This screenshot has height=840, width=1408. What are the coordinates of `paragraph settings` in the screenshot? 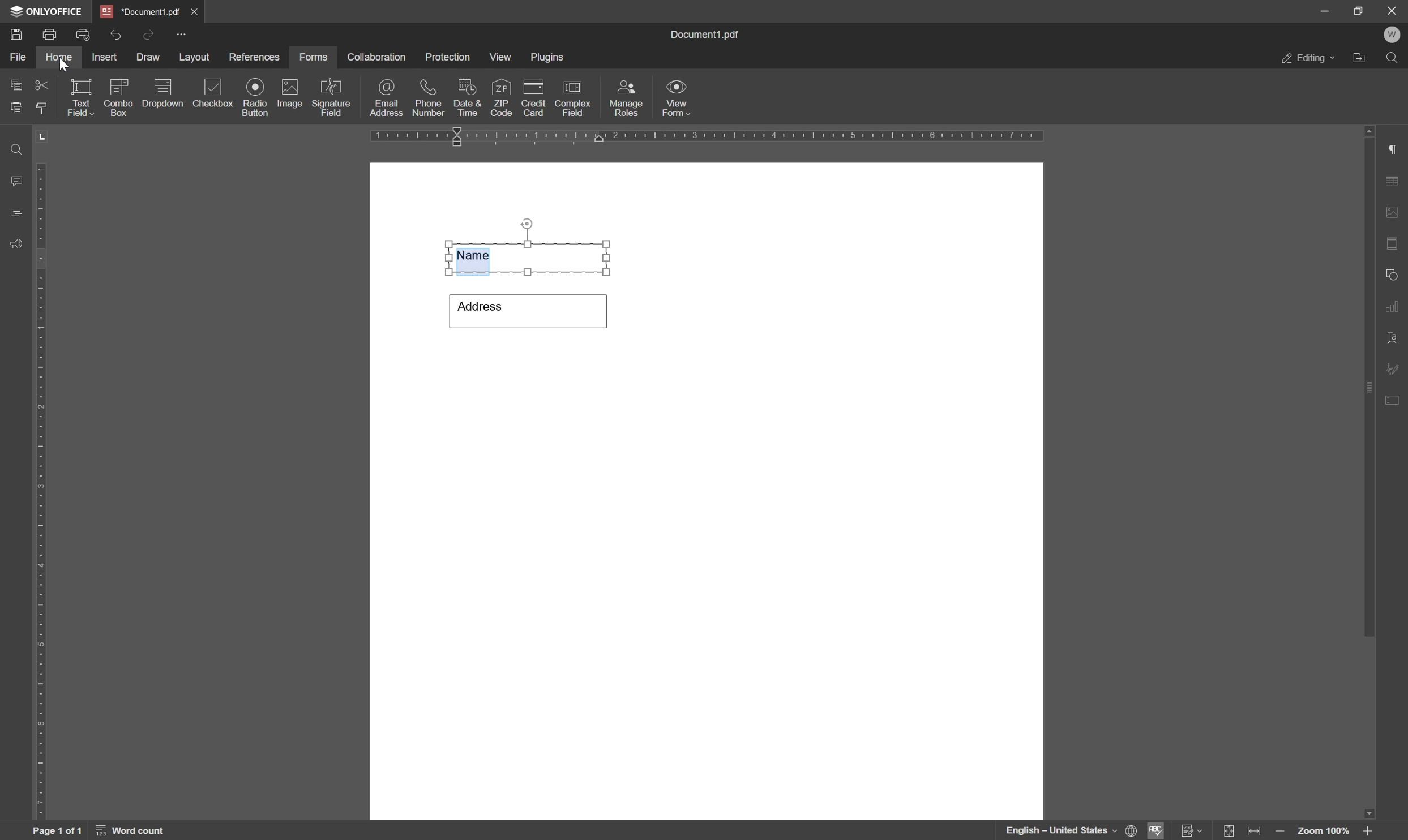 It's located at (1398, 149).